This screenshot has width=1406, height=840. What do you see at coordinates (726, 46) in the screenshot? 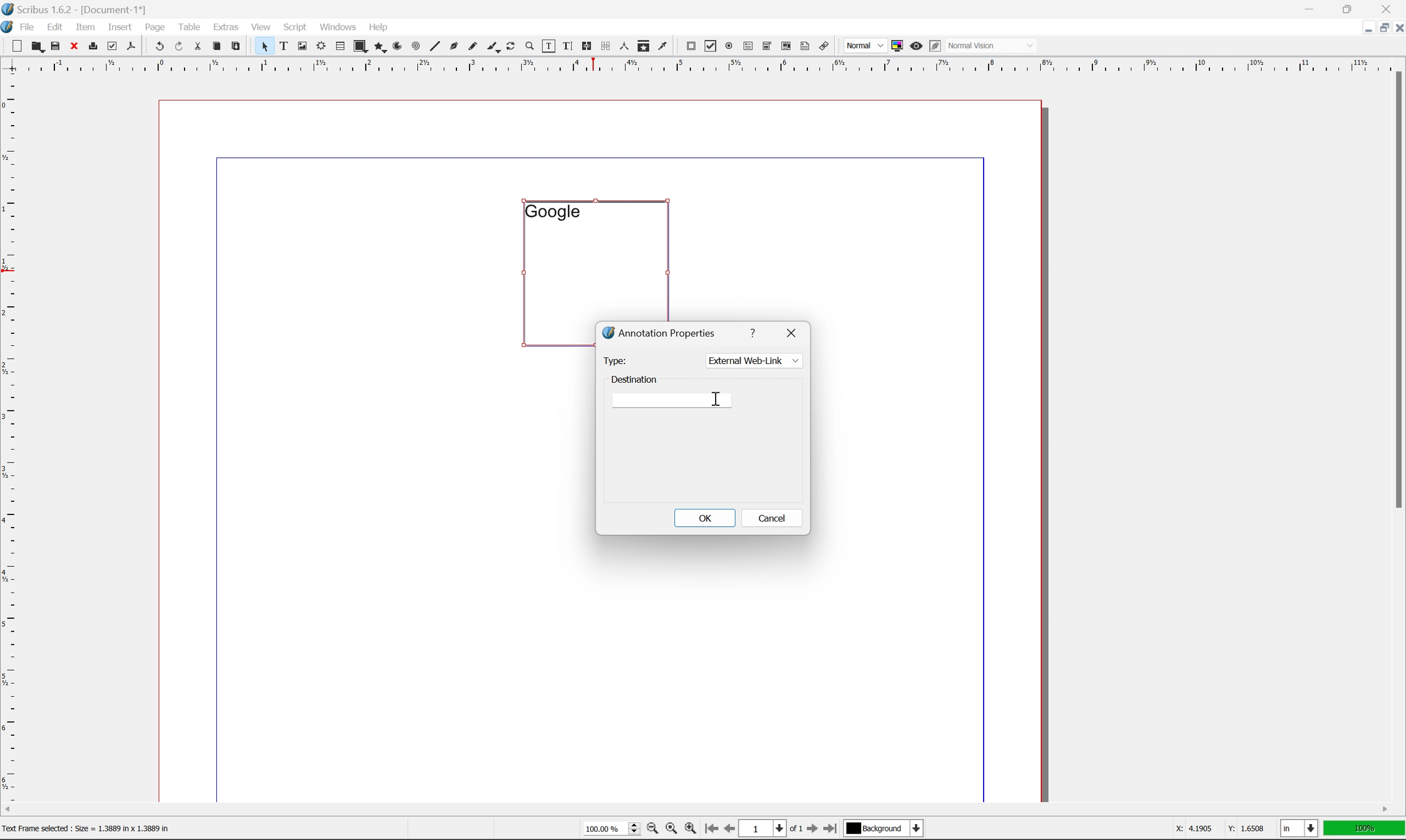
I see `pdf radio button` at bounding box center [726, 46].